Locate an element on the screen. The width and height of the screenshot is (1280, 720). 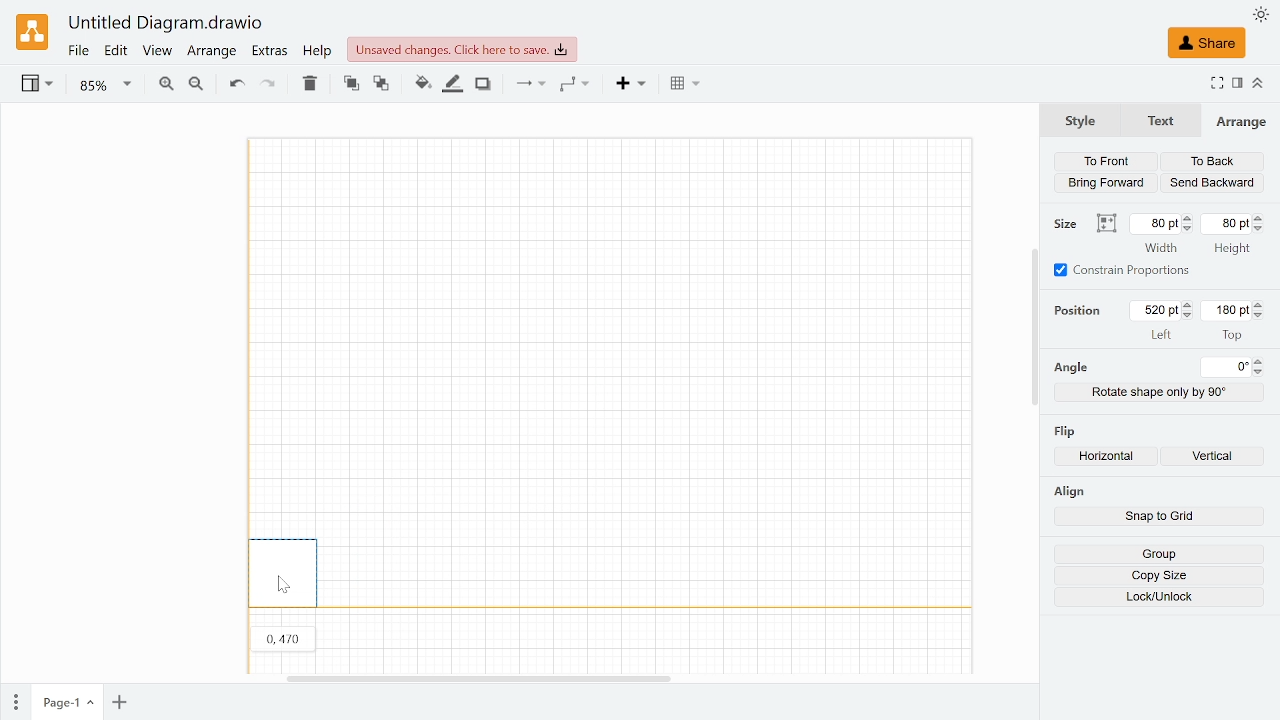
Fill line is located at coordinates (454, 84).